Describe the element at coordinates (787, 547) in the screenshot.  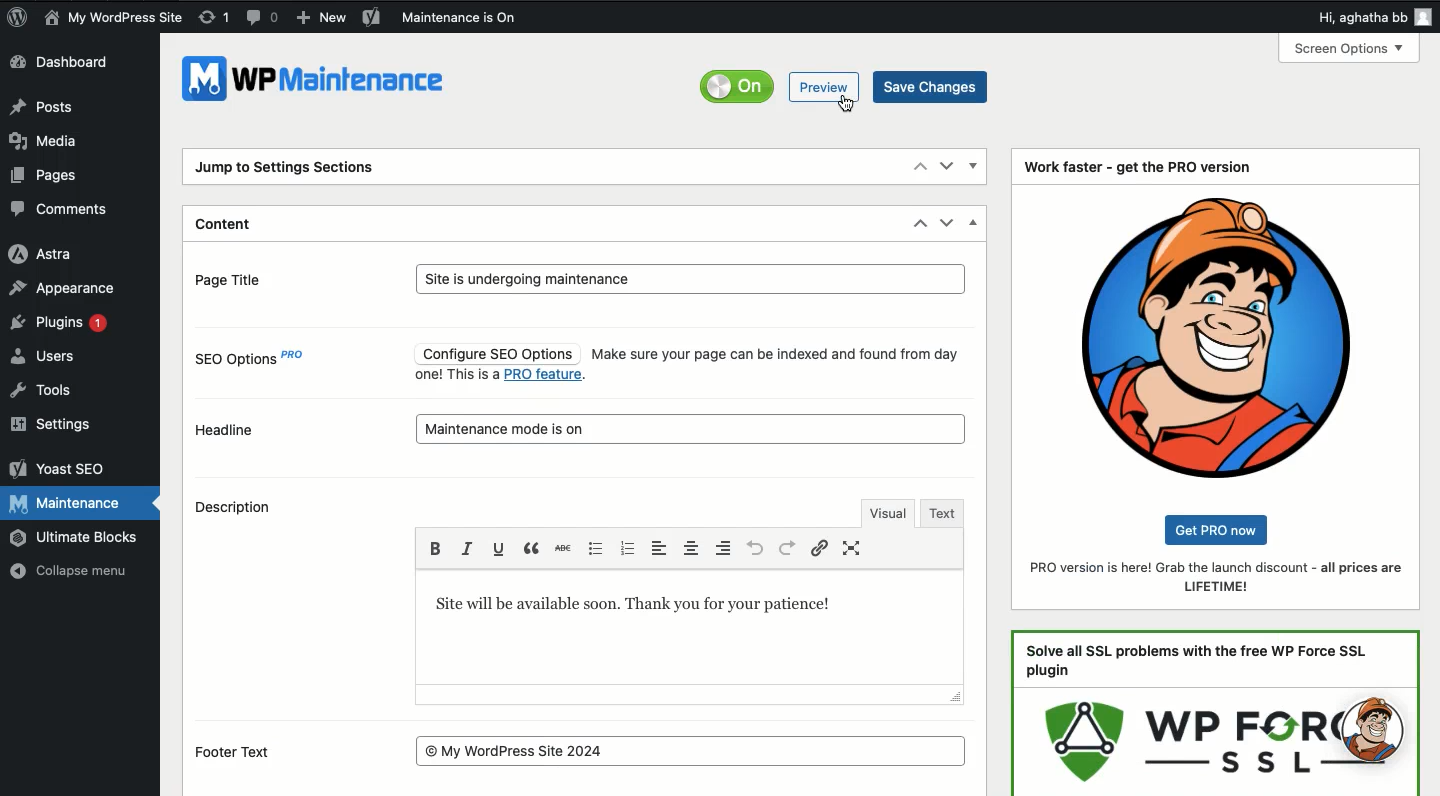
I see `Redo` at that location.